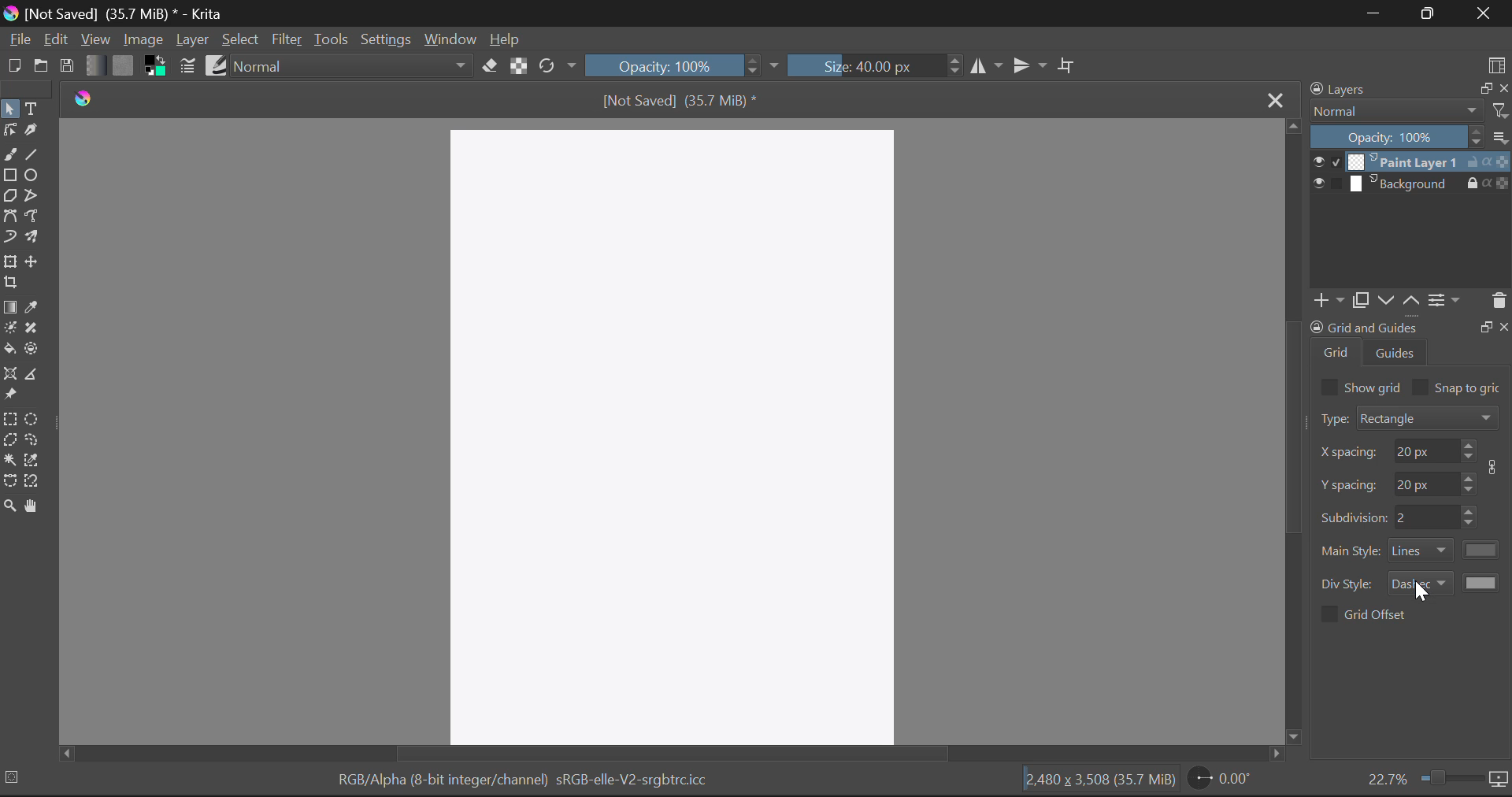 The width and height of the screenshot is (1512, 797). Describe the element at coordinates (10, 283) in the screenshot. I see `Crop` at that location.